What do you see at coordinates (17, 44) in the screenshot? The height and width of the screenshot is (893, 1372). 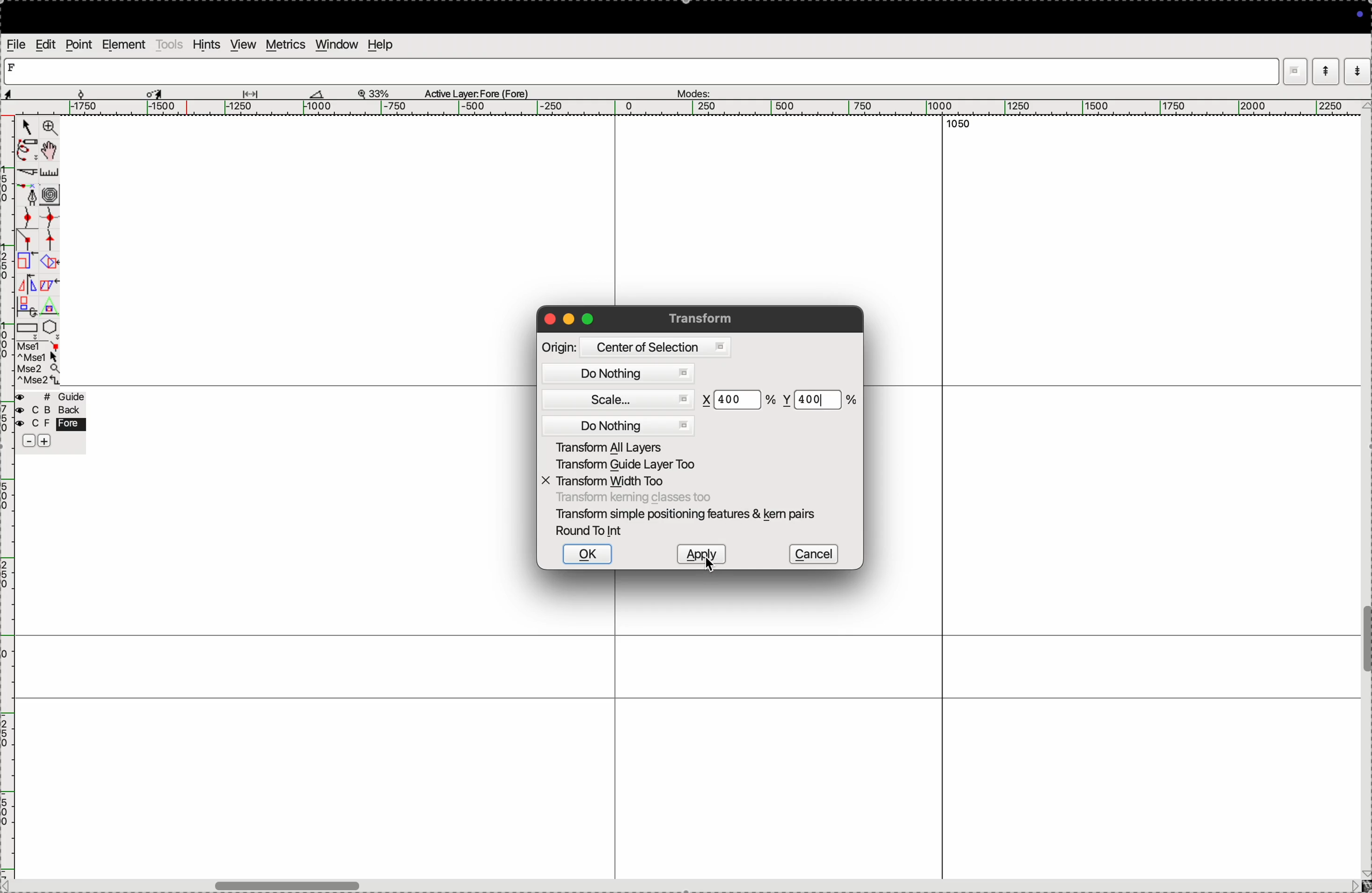 I see `file` at bounding box center [17, 44].